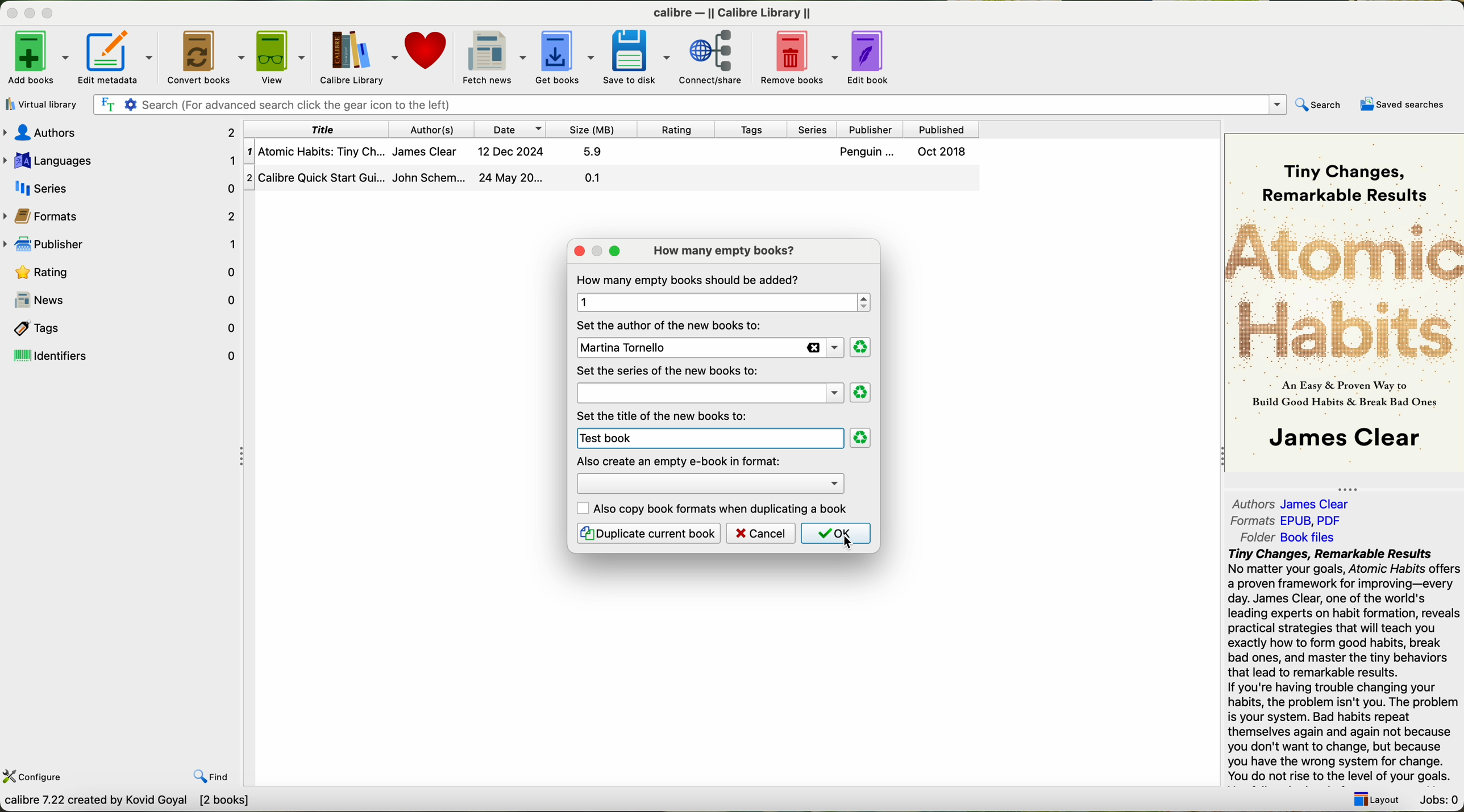  What do you see at coordinates (672, 324) in the screenshot?
I see `set the author of the new books to` at bounding box center [672, 324].